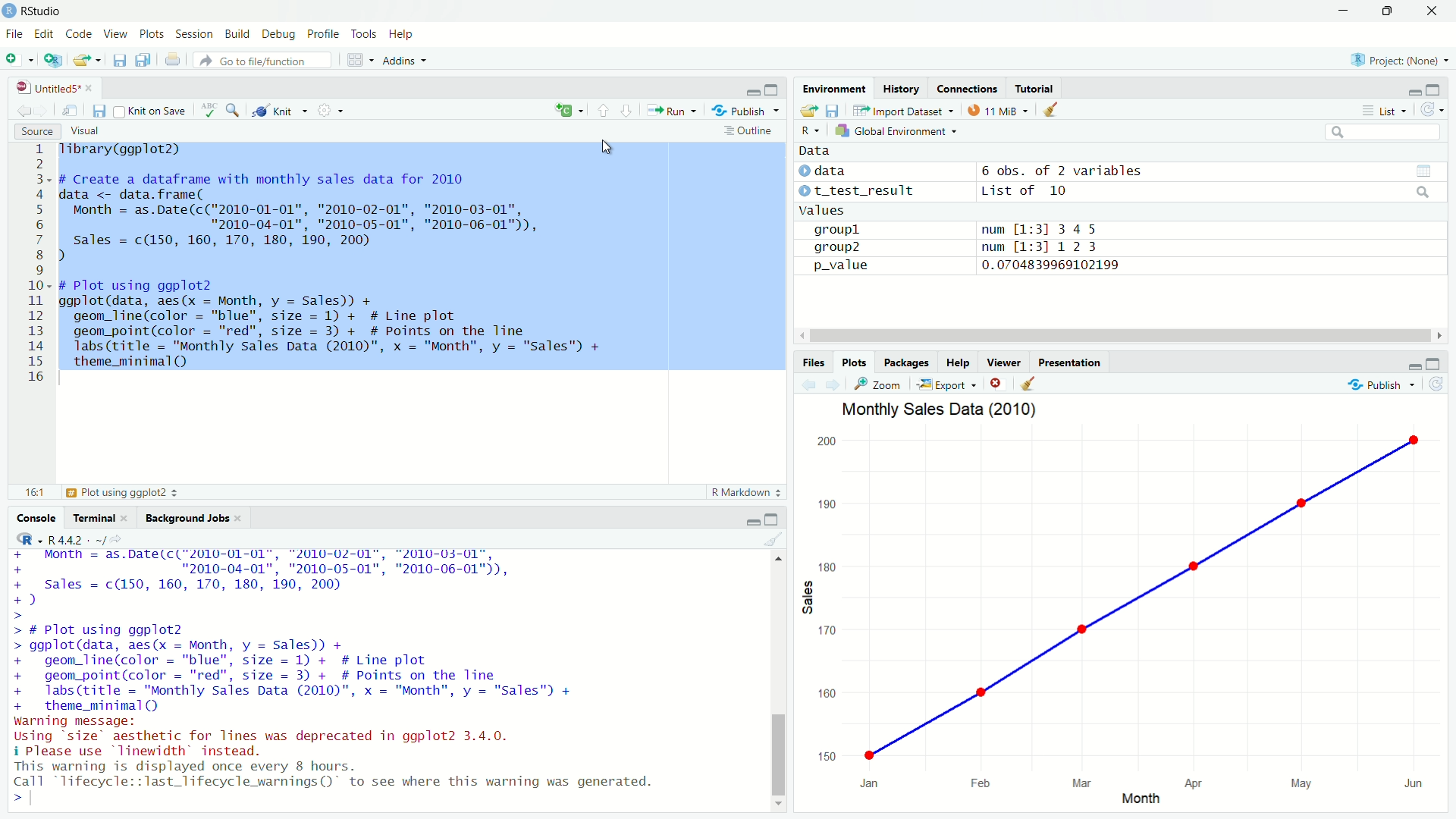 The height and width of the screenshot is (819, 1456). What do you see at coordinates (80, 32) in the screenshot?
I see `Code` at bounding box center [80, 32].